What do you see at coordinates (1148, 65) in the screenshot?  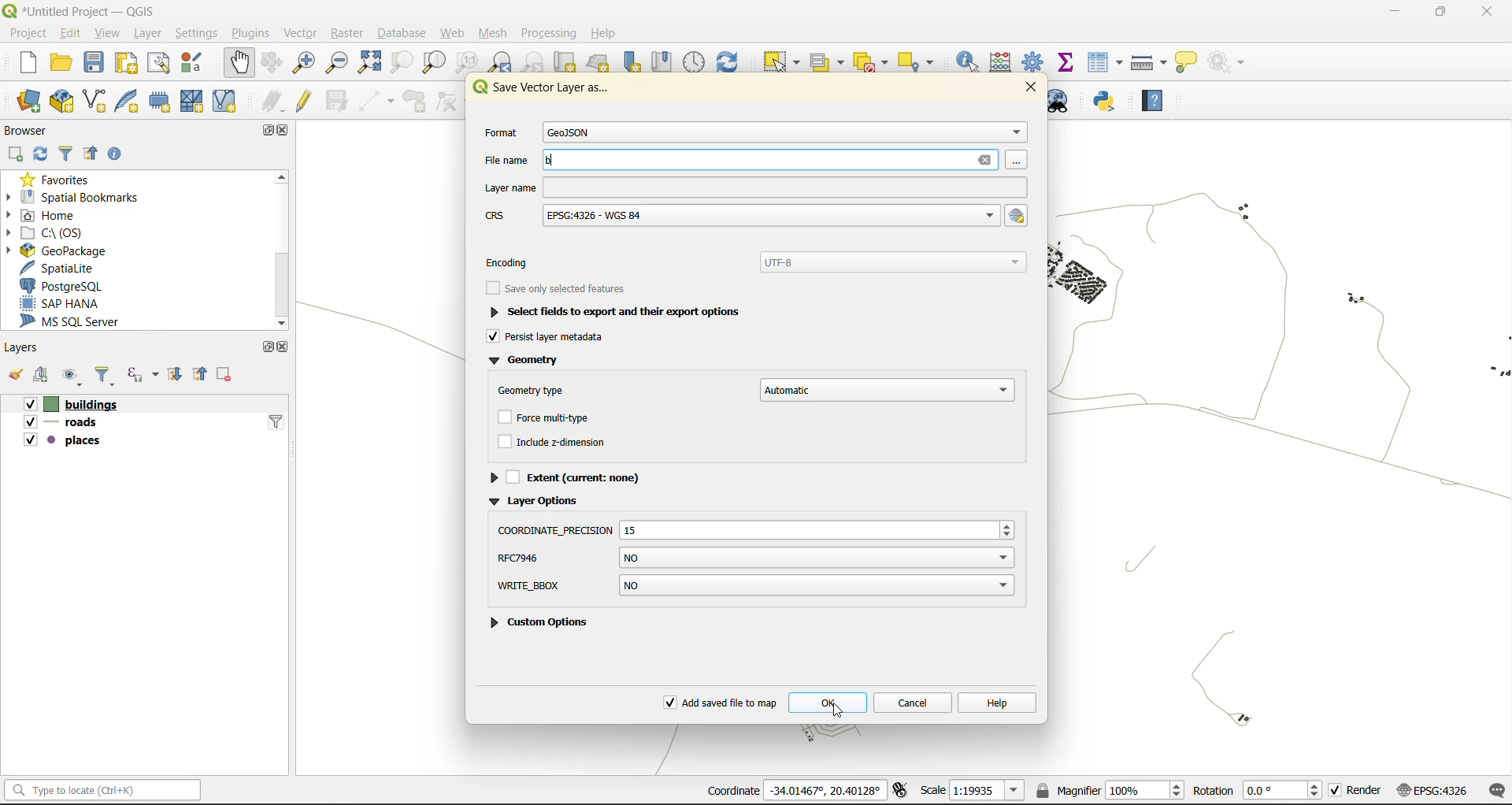 I see `measure line` at bounding box center [1148, 65].